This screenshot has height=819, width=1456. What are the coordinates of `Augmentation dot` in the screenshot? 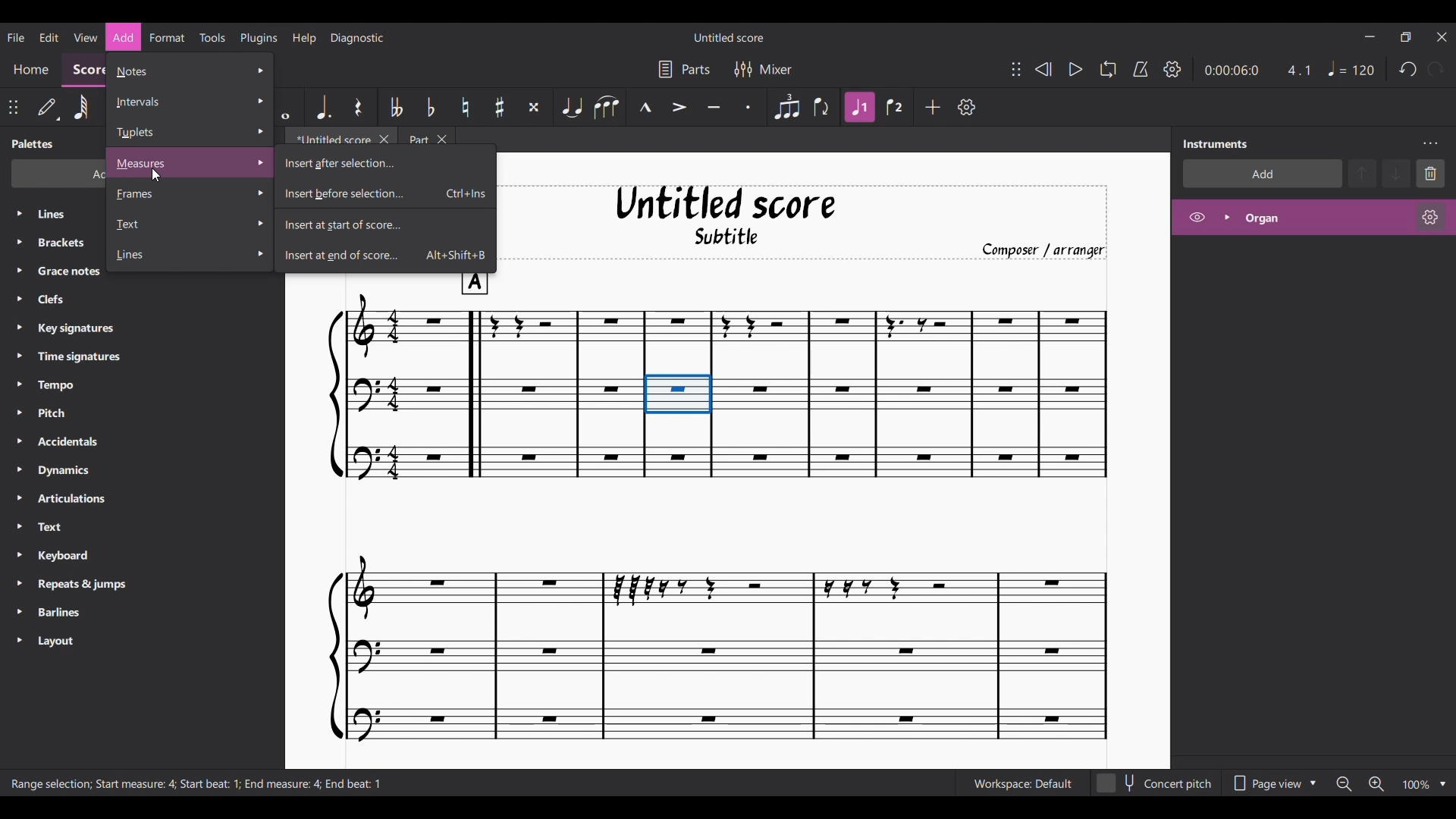 It's located at (325, 106).